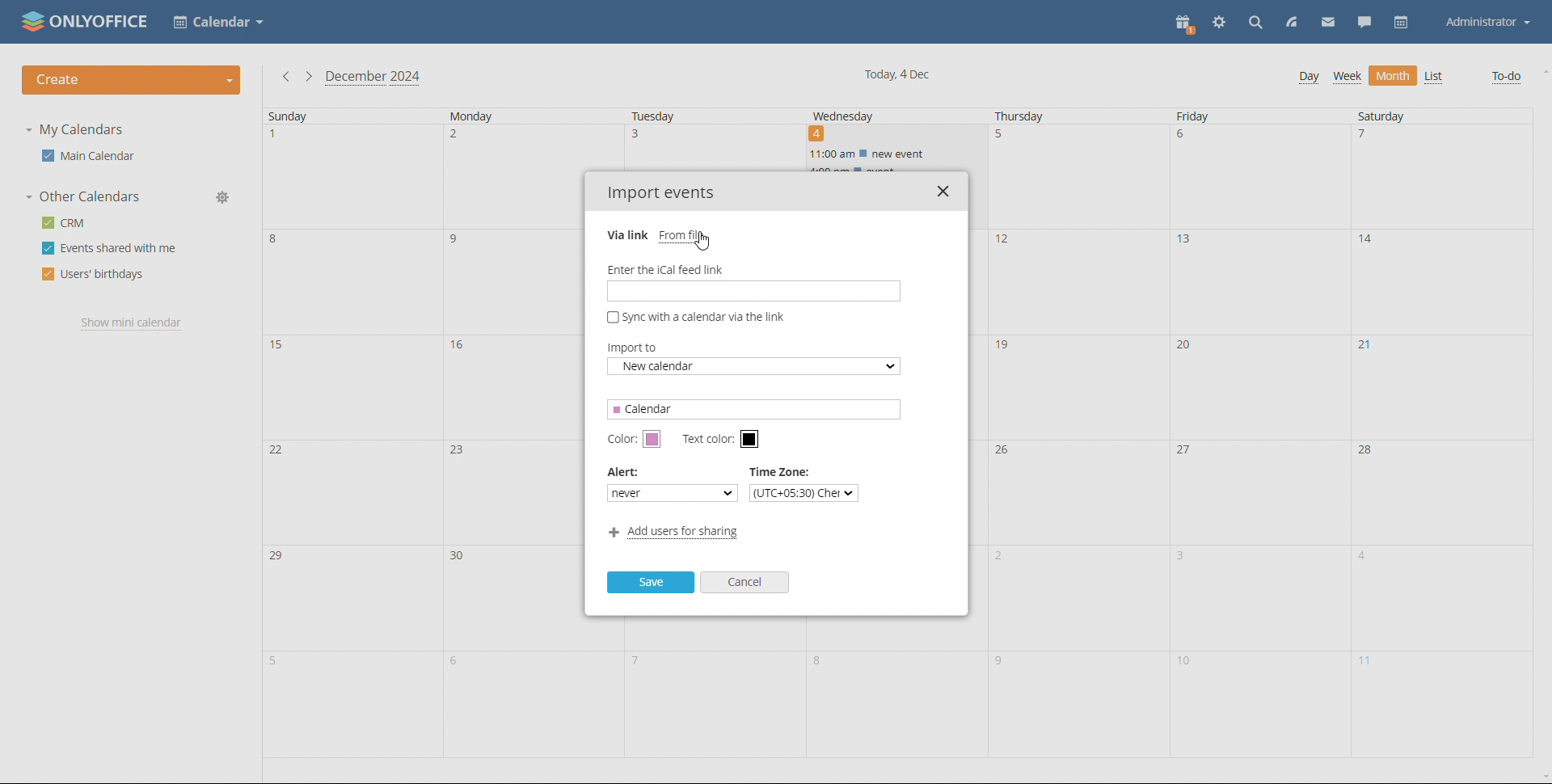  Describe the element at coordinates (661, 194) in the screenshot. I see `import events` at that location.